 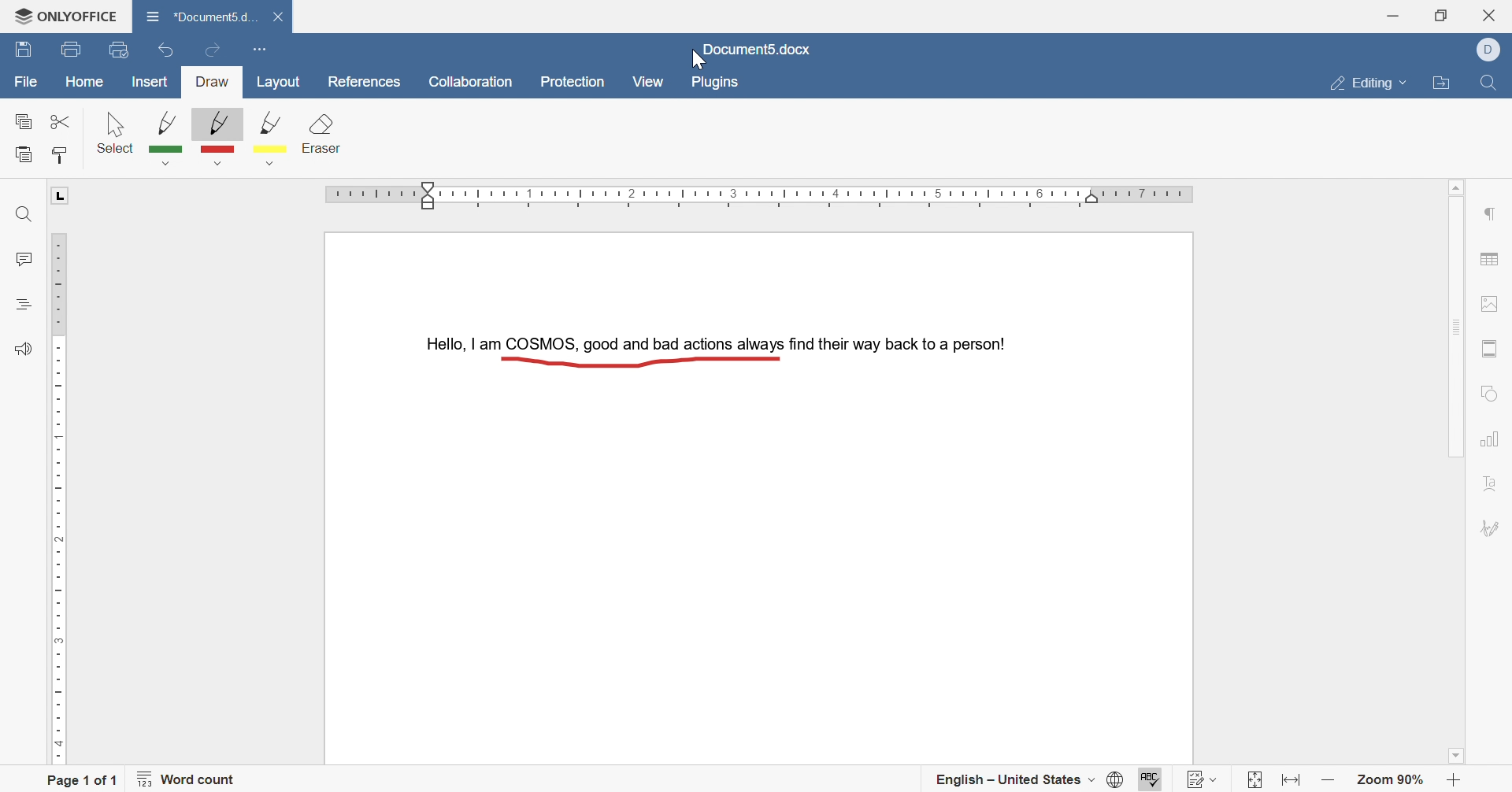 What do you see at coordinates (647, 81) in the screenshot?
I see `view` at bounding box center [647, 81].